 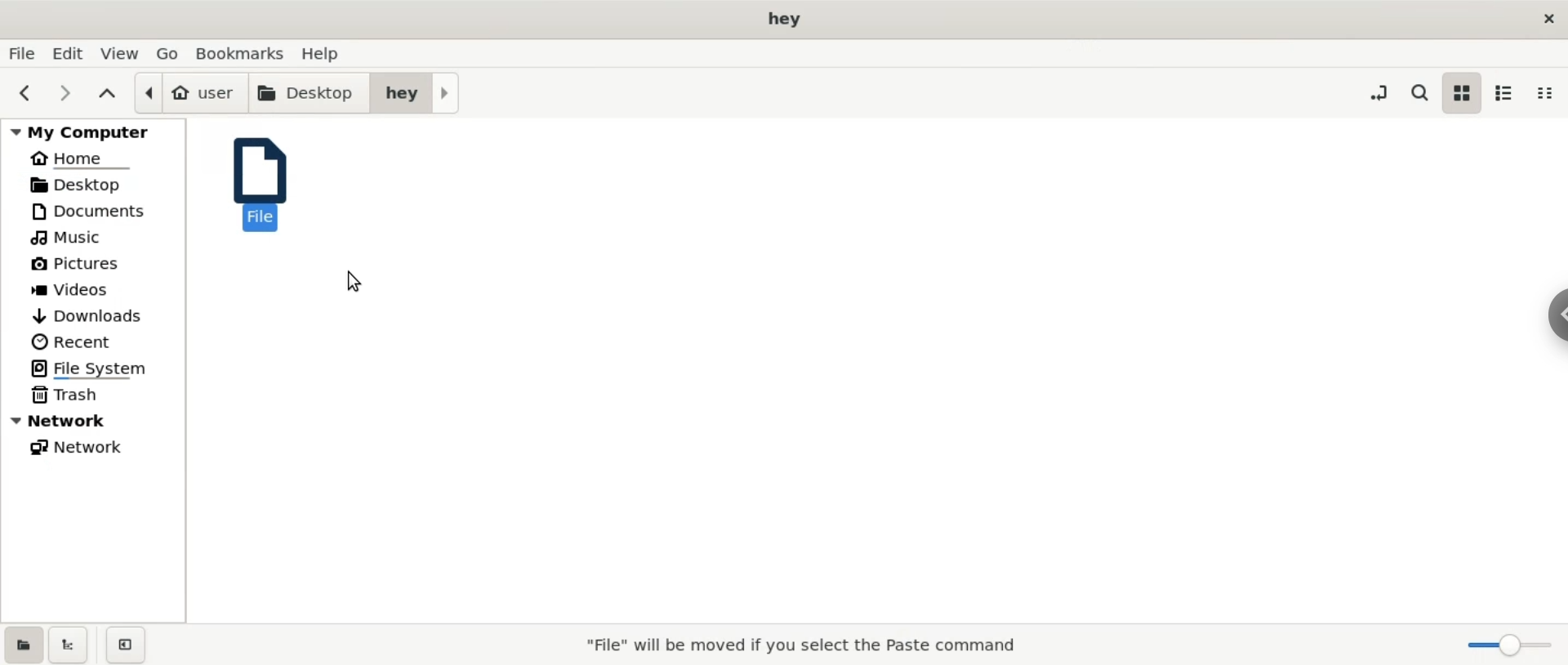 I want to click on parent folders, so click(x=105, y=94).